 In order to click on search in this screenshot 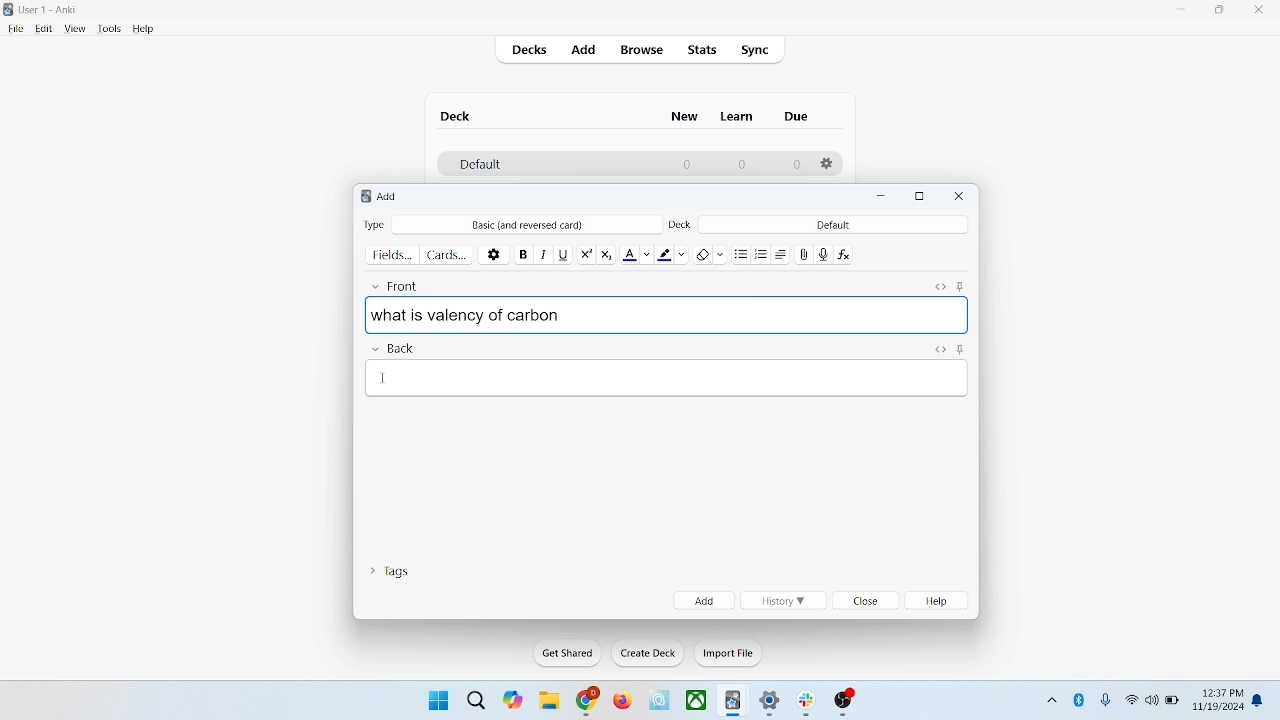, I will do `click(477, 699)`.